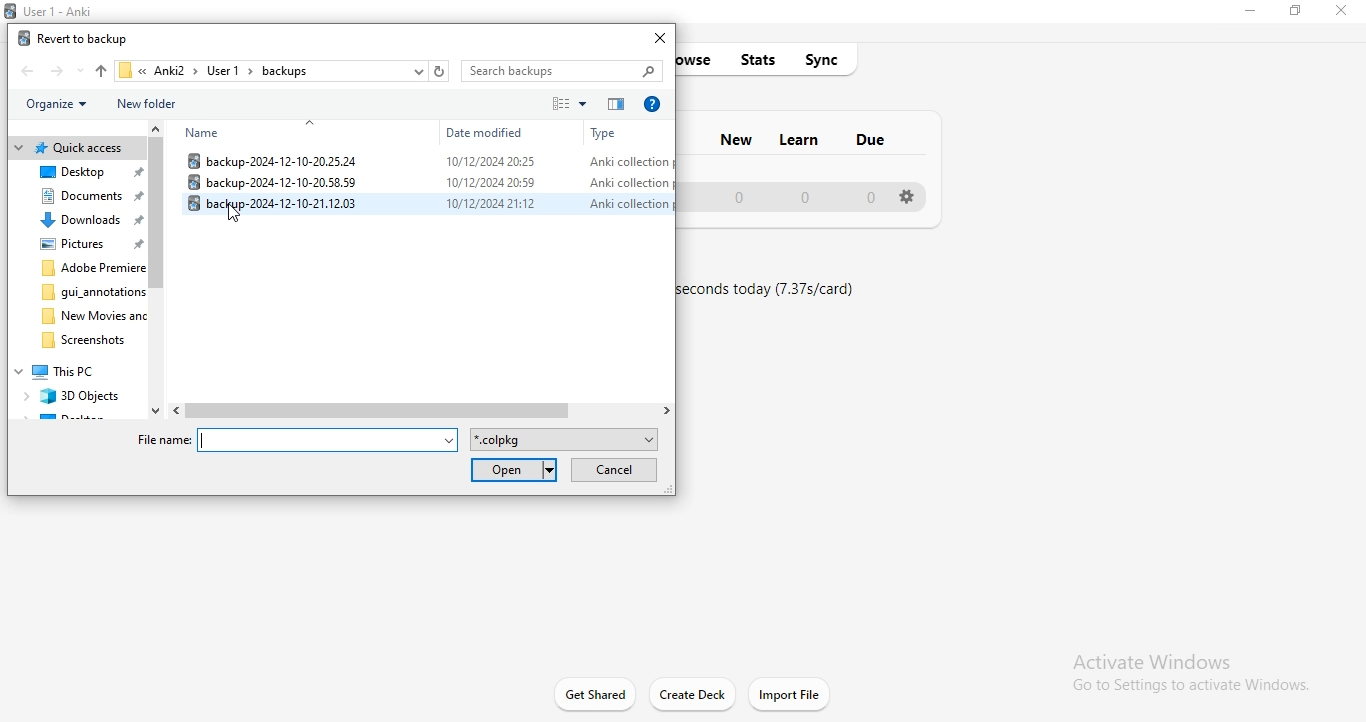 The height and width of the screenshot is (722, 1366). I want to click on sync, so click(829, 59).